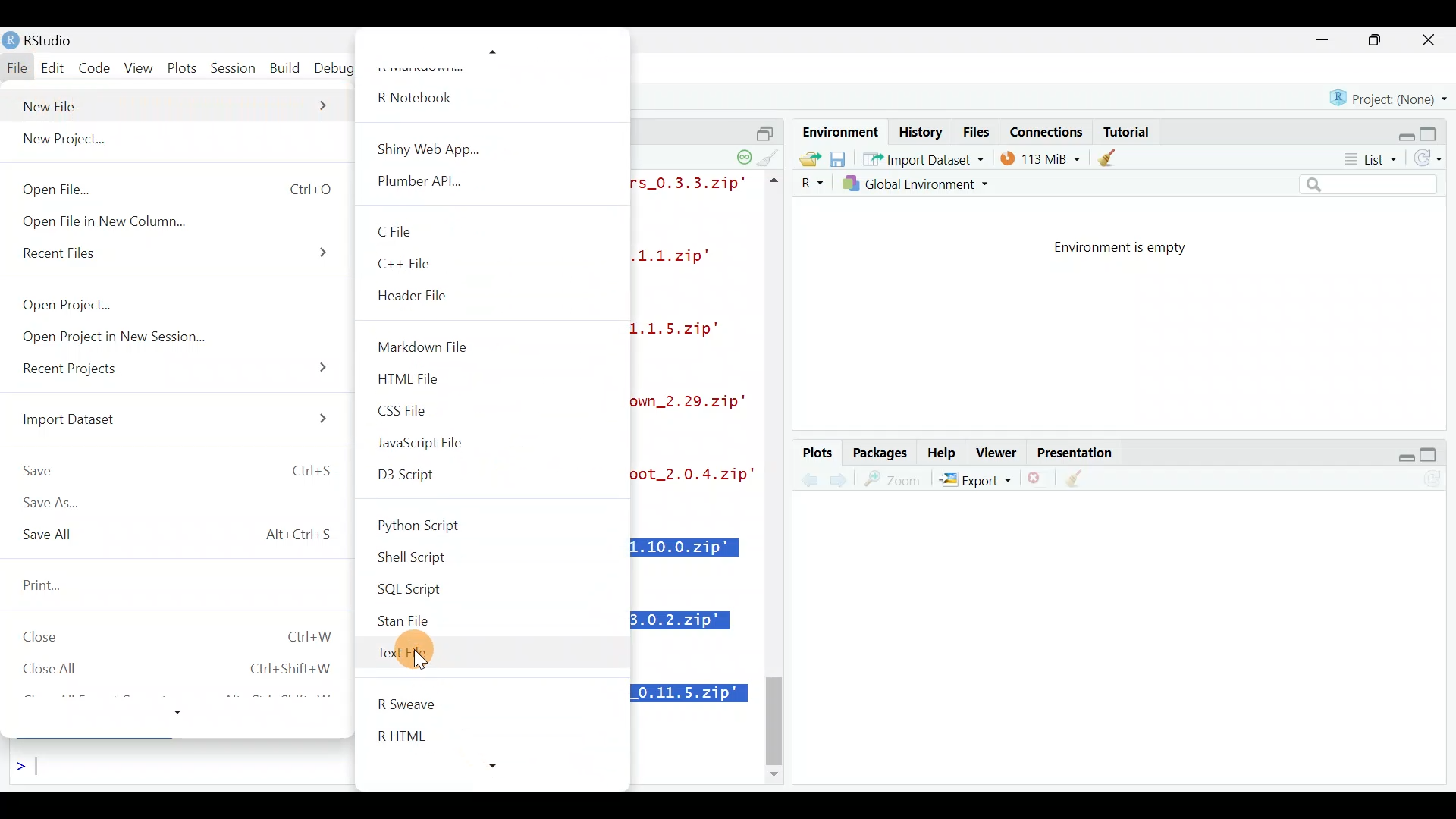 Image resolution: width=1456 pixels, height=819 pixels. What do you see at coordinates (838, 159) in the screenshot?
I see `save workspace as` at bounding box center [838, 159].